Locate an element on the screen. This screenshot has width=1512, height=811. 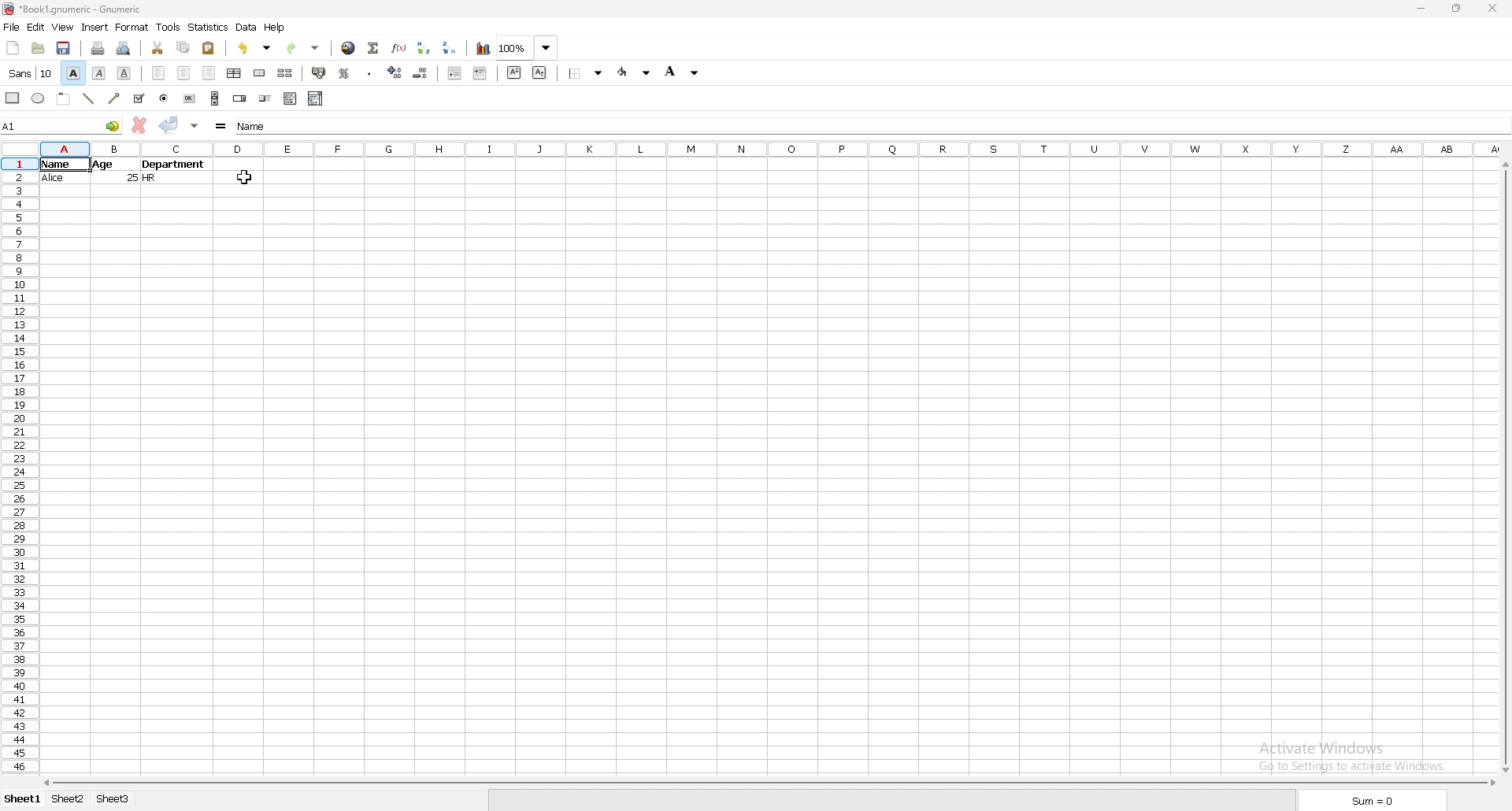
scroll bar is located at coordinates (216, 98).